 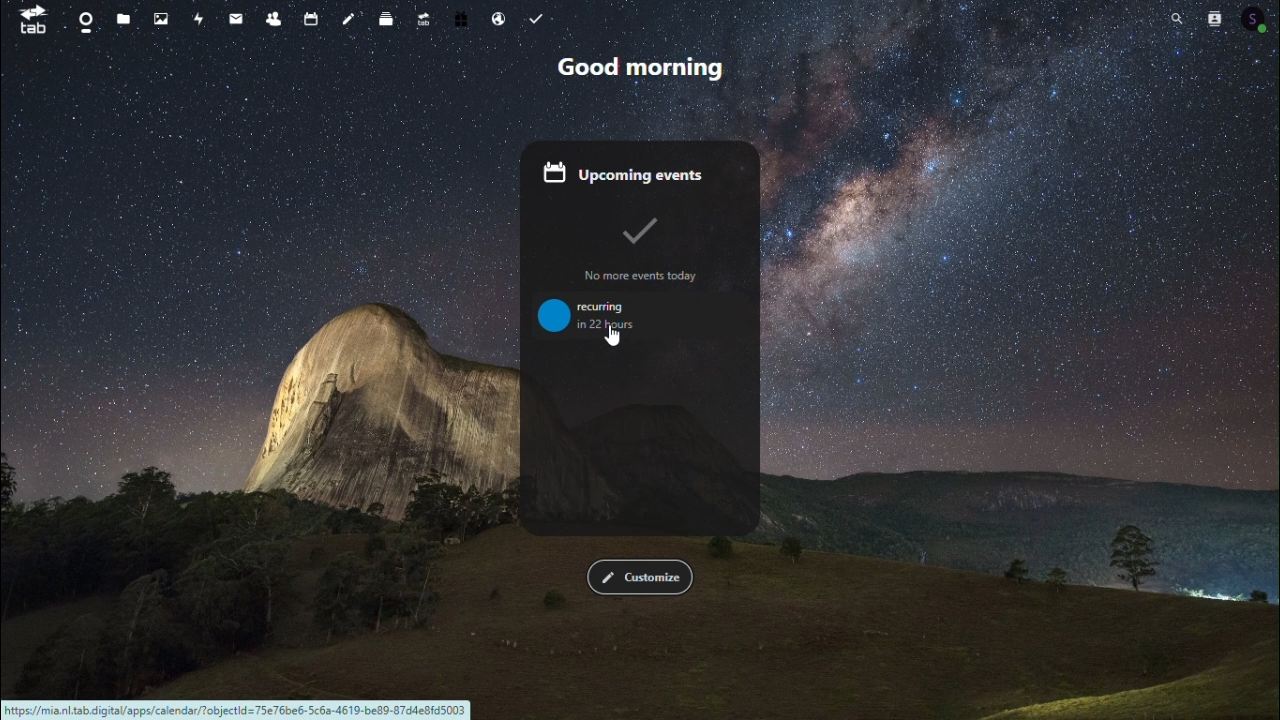 What do you see at coordinates (1255, 17) in the screenshot?
I see `Account icon` at bounding box center [1255, 17].